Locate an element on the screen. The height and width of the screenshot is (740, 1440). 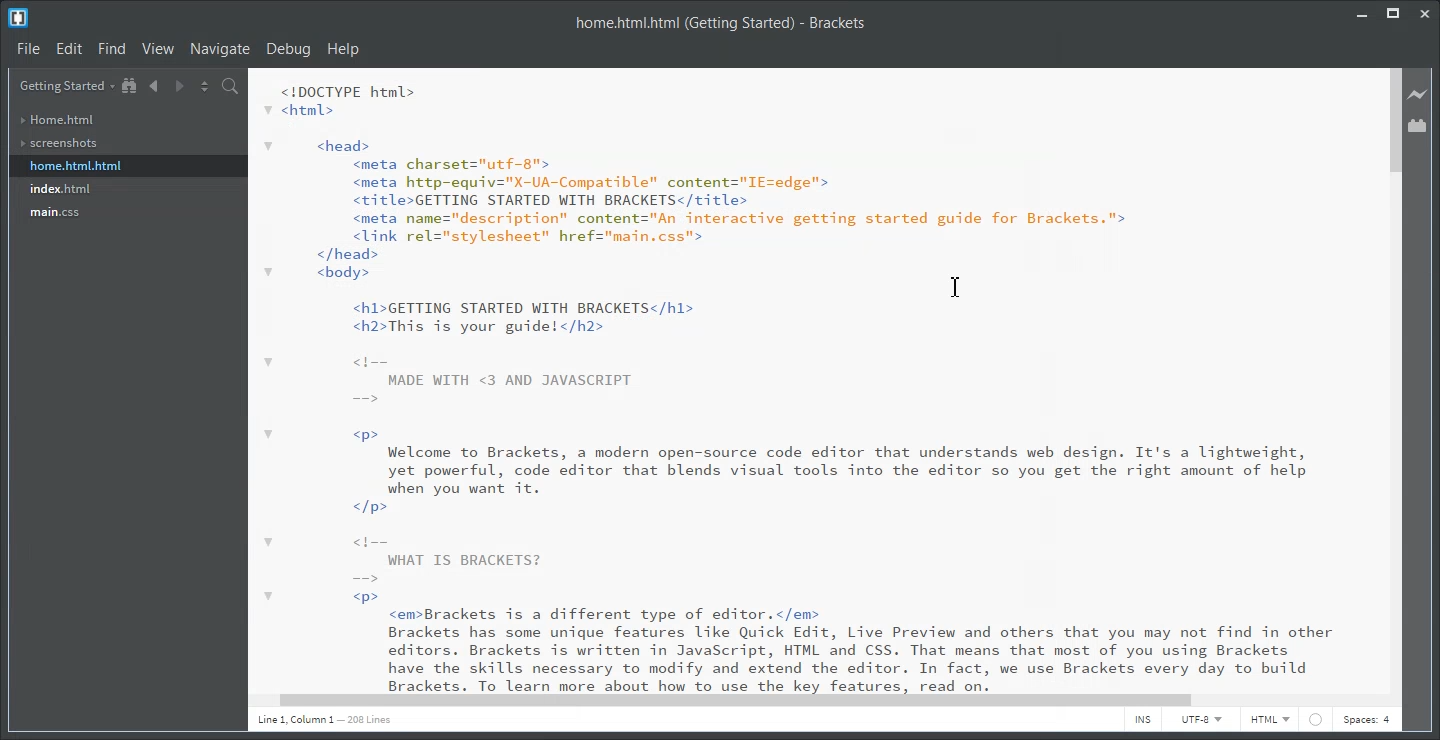
UTF-8 is located at coordinates (1202, 722).